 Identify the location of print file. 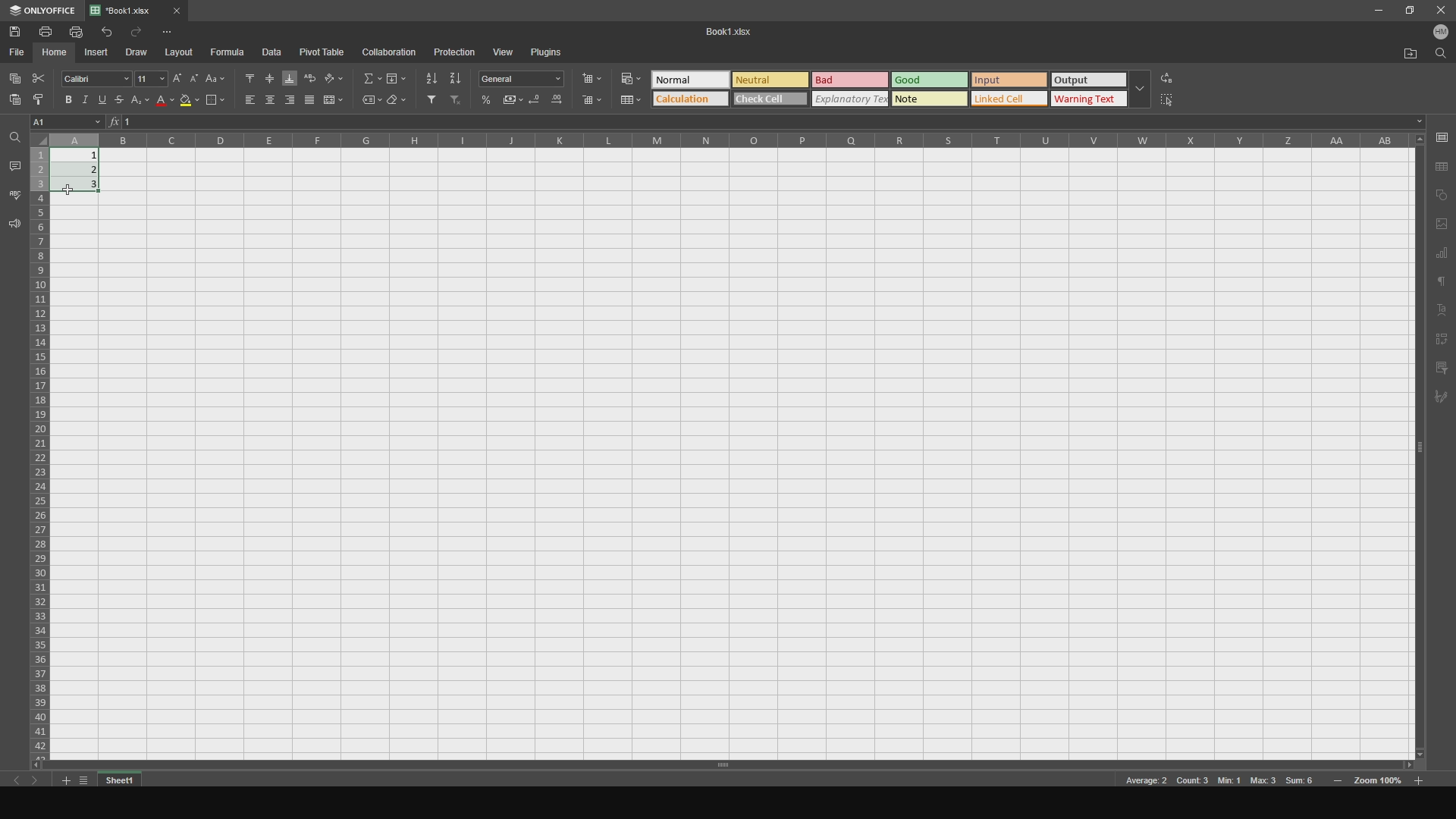
(77, 32).